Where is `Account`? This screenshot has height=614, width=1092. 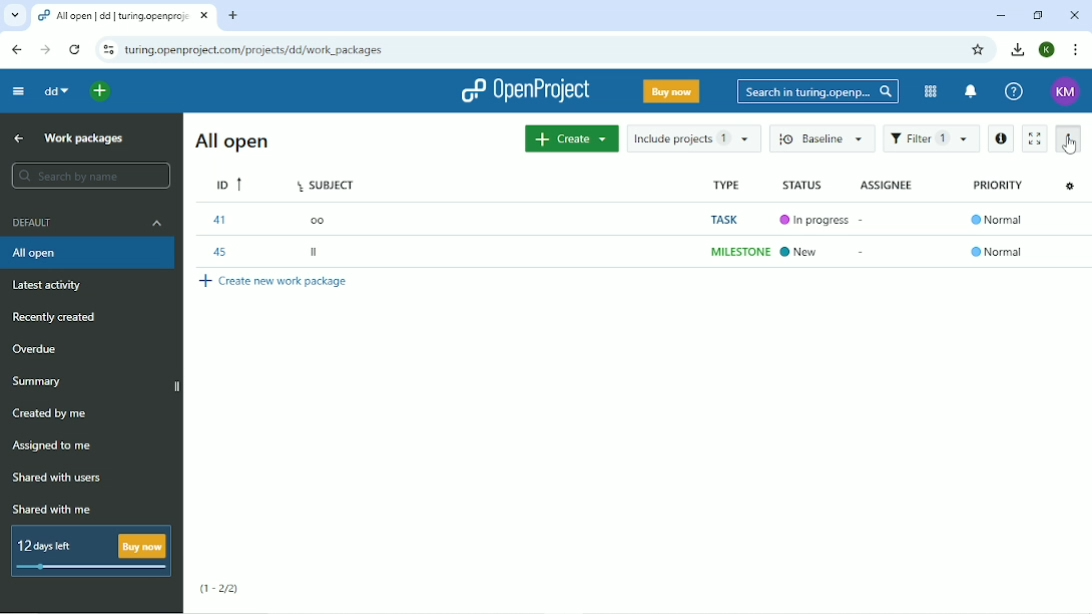 Account is located at coordinates (1067, 93).